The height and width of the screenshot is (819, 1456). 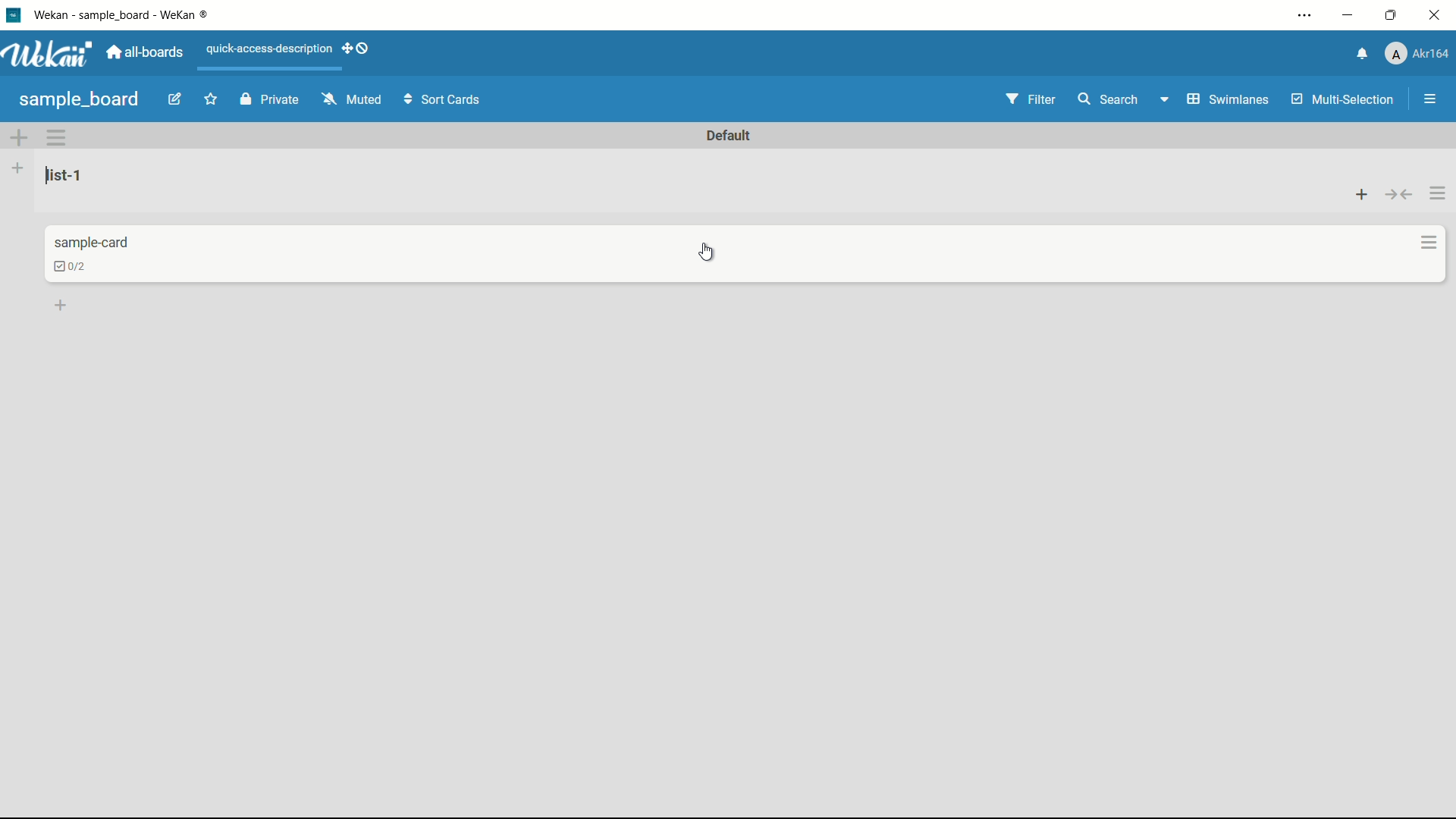 I want to click on card name, so click(x=92, y=242).